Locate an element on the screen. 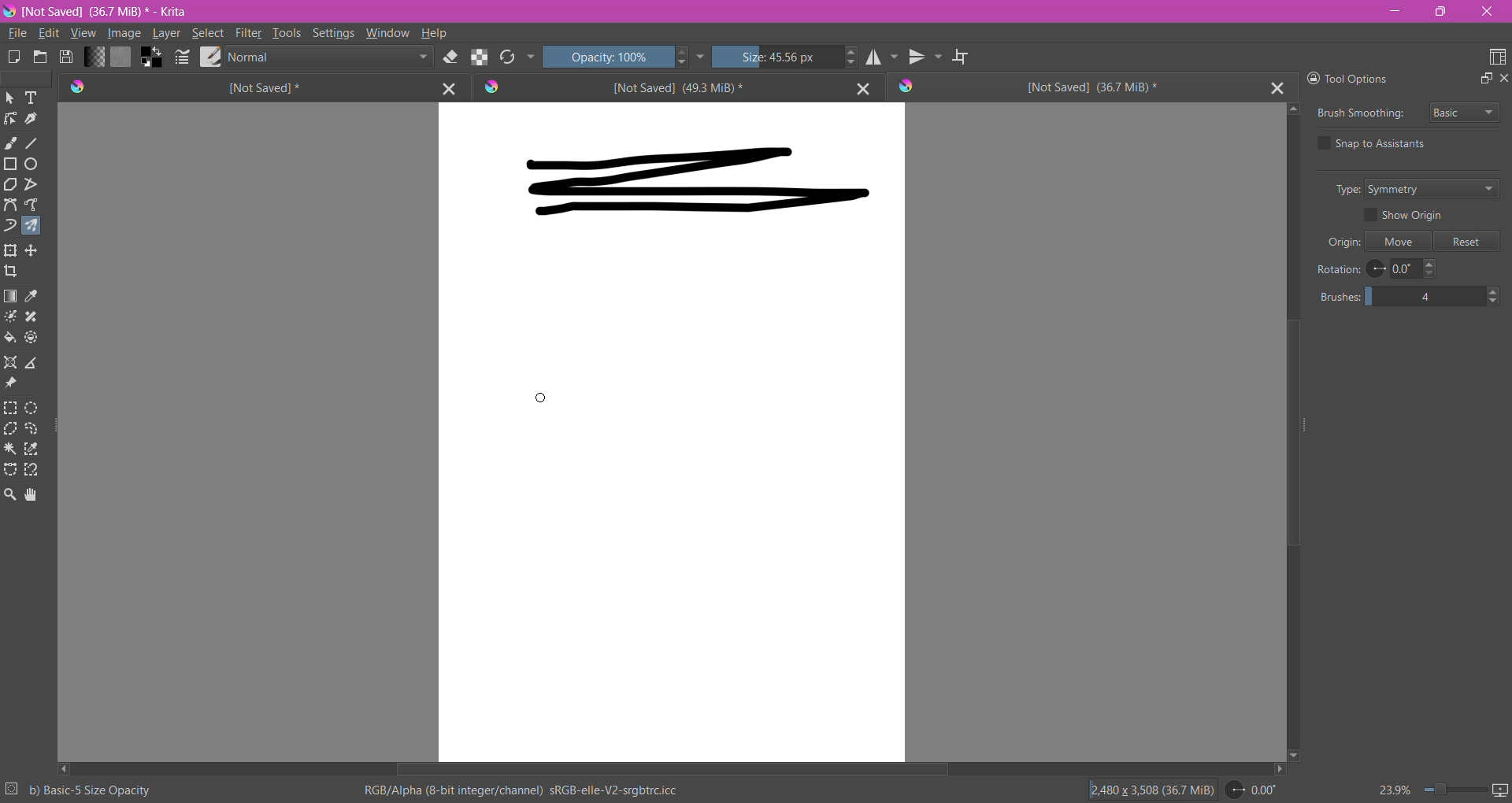 This screenshot has width=1512, height=803. Canvas with brushstrokes is located at coordinates (672, 432).